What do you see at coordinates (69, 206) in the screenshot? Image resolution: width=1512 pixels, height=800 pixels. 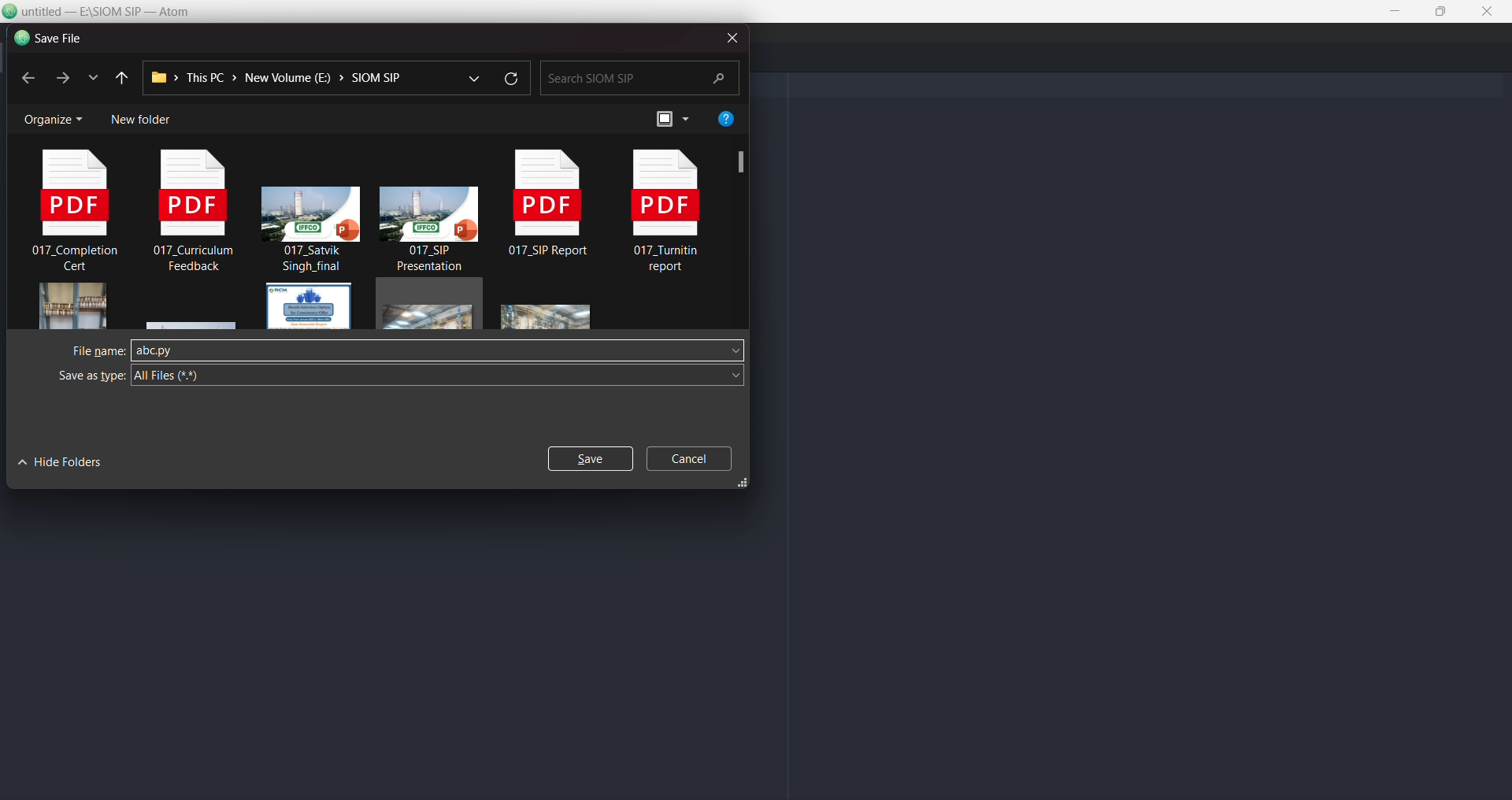 I see `pdf file` at bounding box center [69, 206].